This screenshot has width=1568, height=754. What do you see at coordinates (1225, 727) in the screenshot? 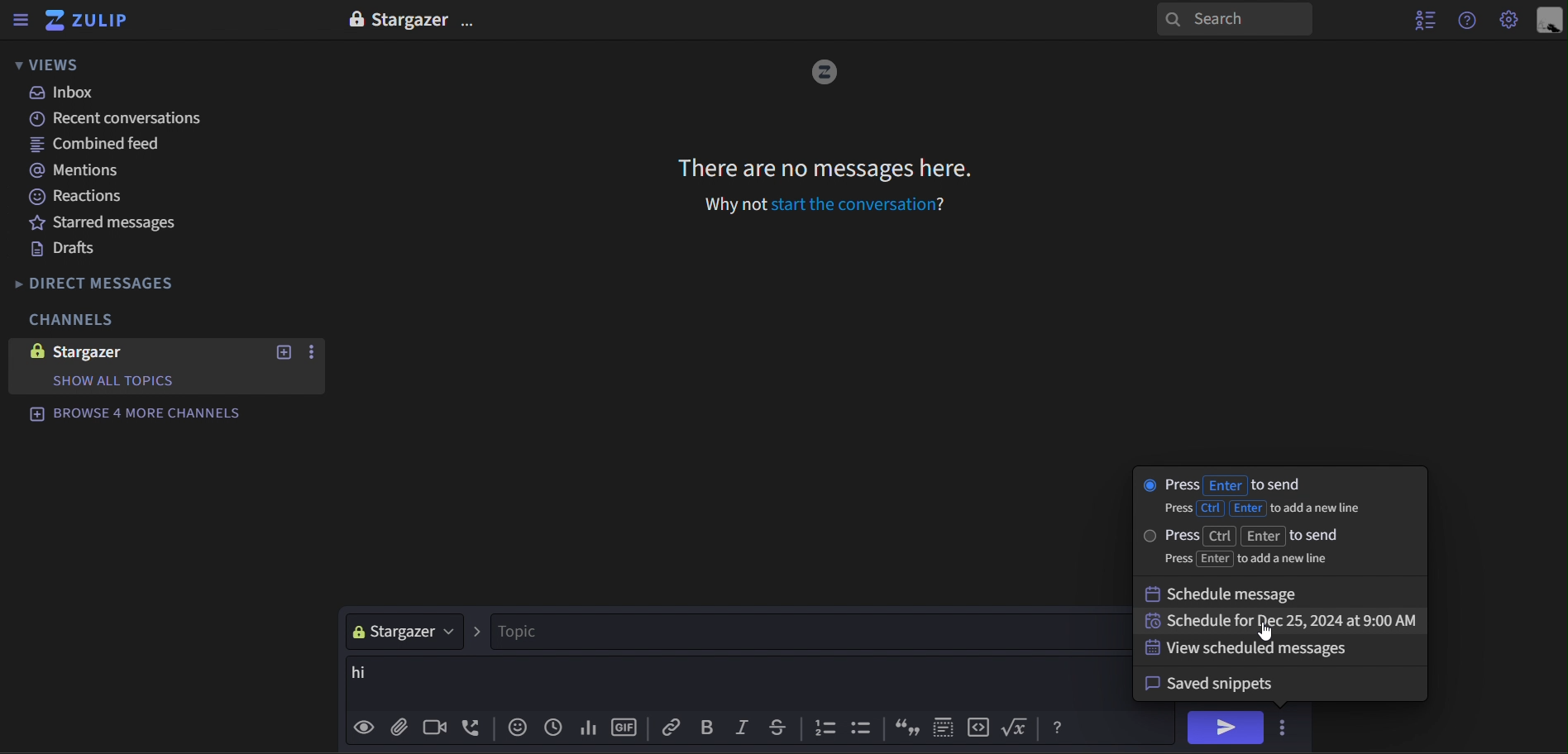
I see `send` at bounding box center [1225, 727].